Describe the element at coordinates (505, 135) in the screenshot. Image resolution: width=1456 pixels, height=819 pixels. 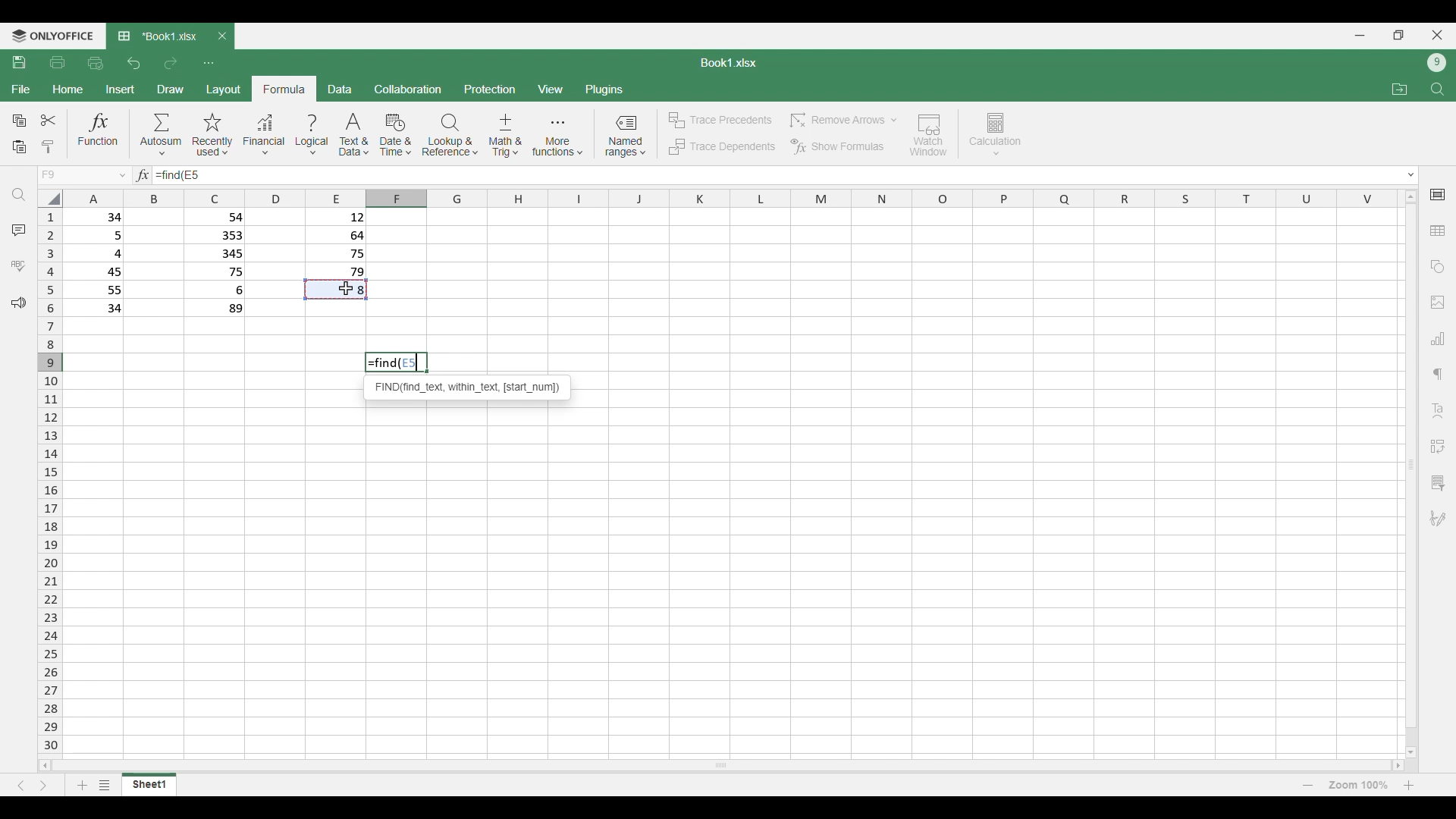
I see `Math and trig` at that location.